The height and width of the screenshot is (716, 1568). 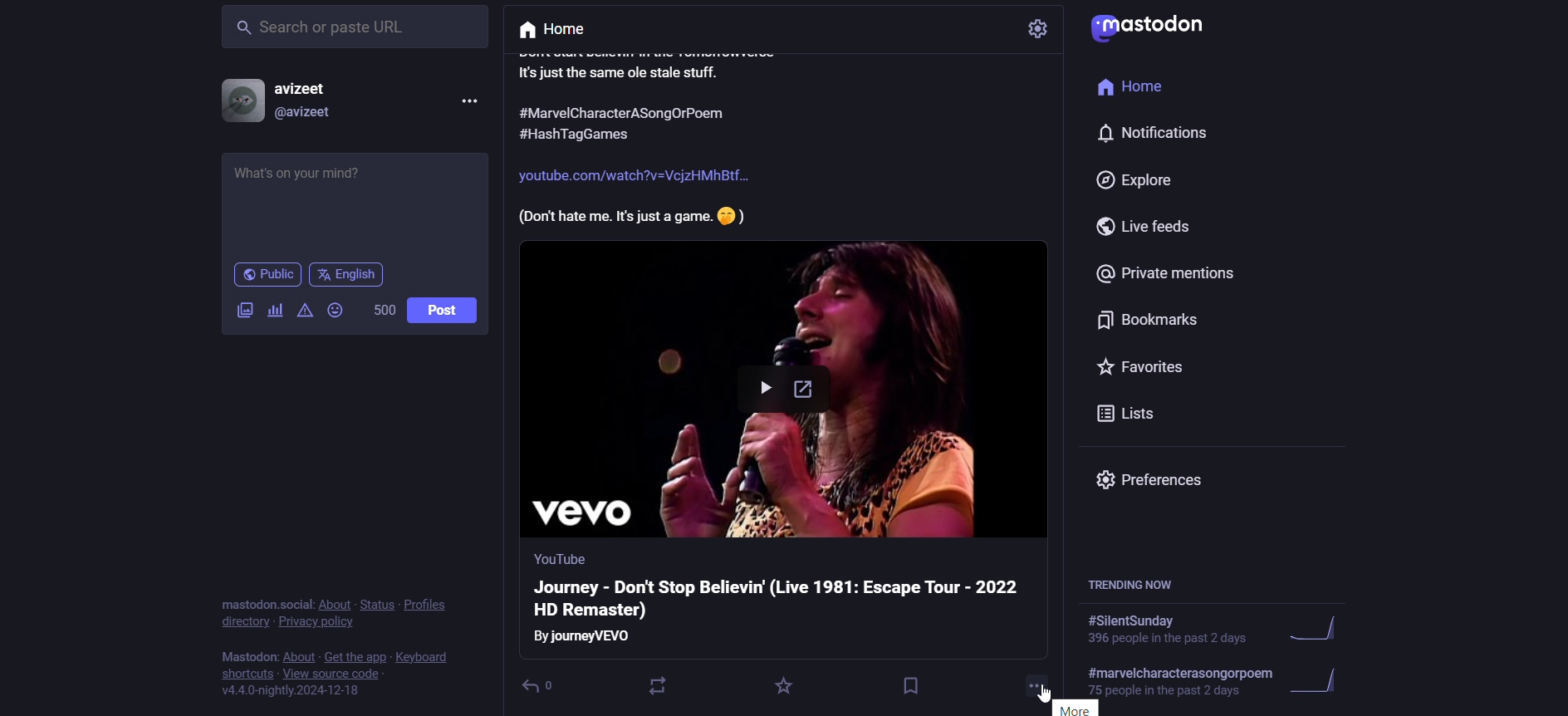 I want to click on explore, so click(x=1136, y=180).